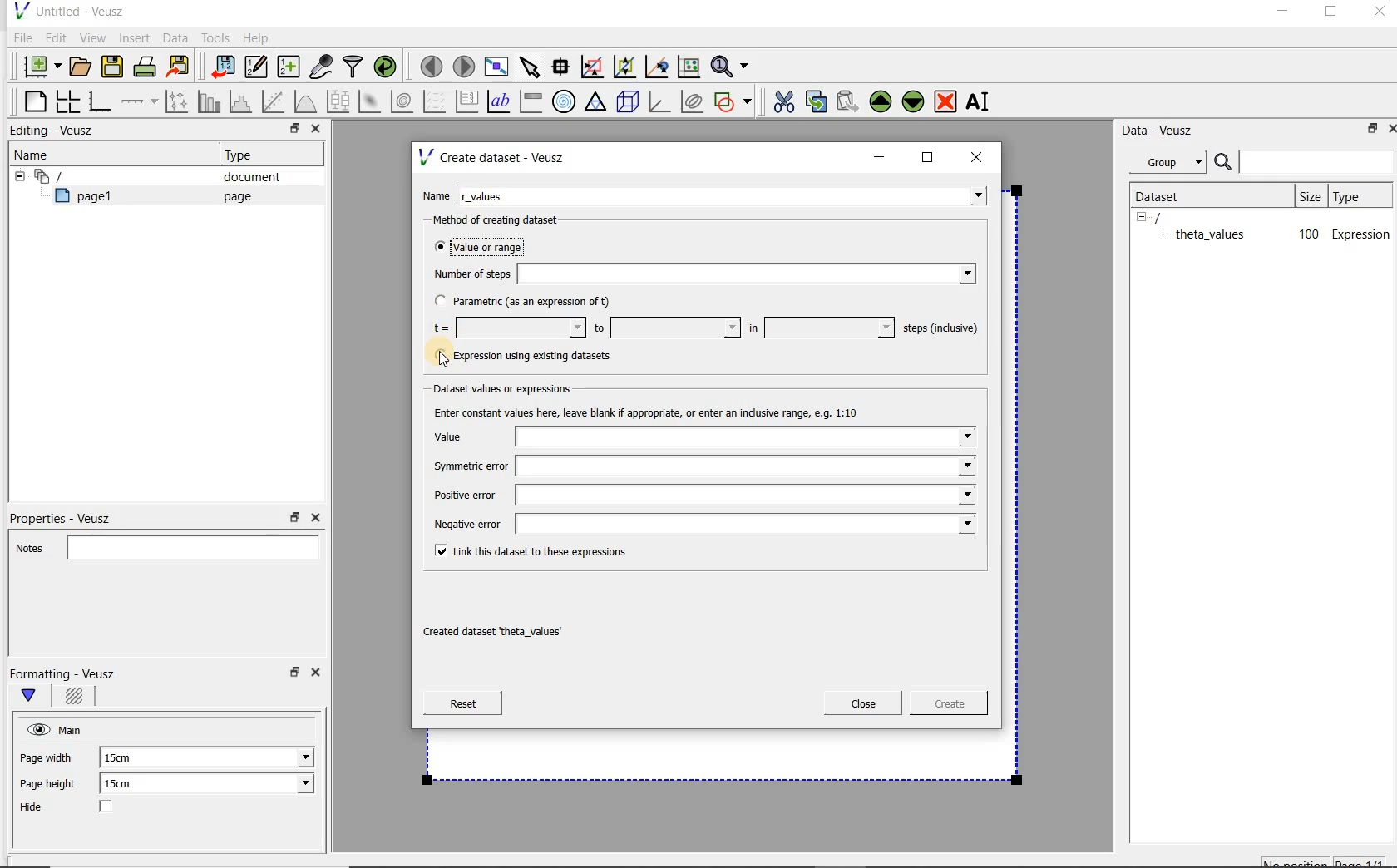  Describe the element at coordinates (432, 64) in the screenshot. I see `move to the previous page` at that location.